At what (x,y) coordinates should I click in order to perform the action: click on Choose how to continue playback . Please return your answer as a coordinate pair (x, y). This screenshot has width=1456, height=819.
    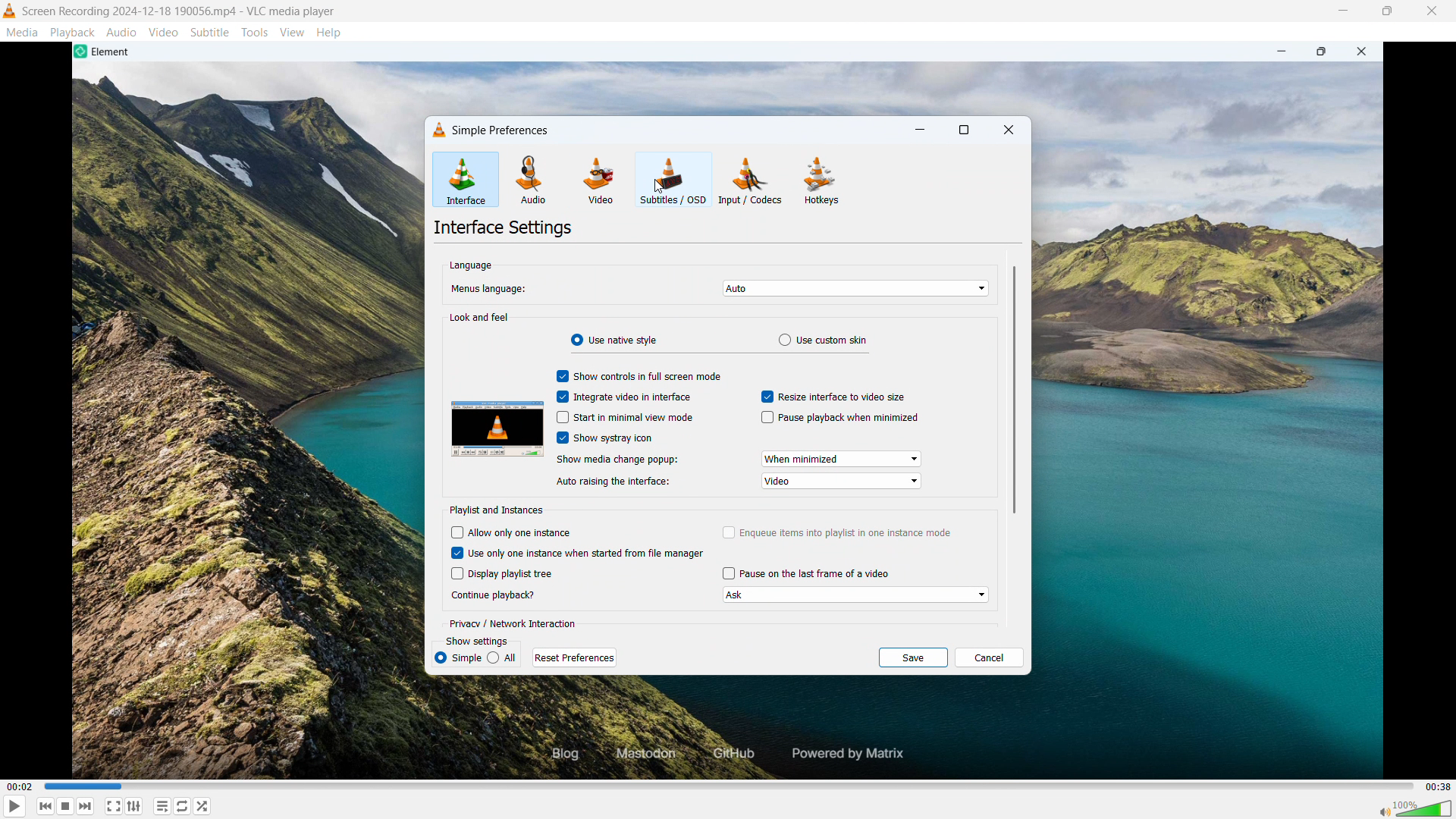
    Looking at the image, I should click on (854, 594).